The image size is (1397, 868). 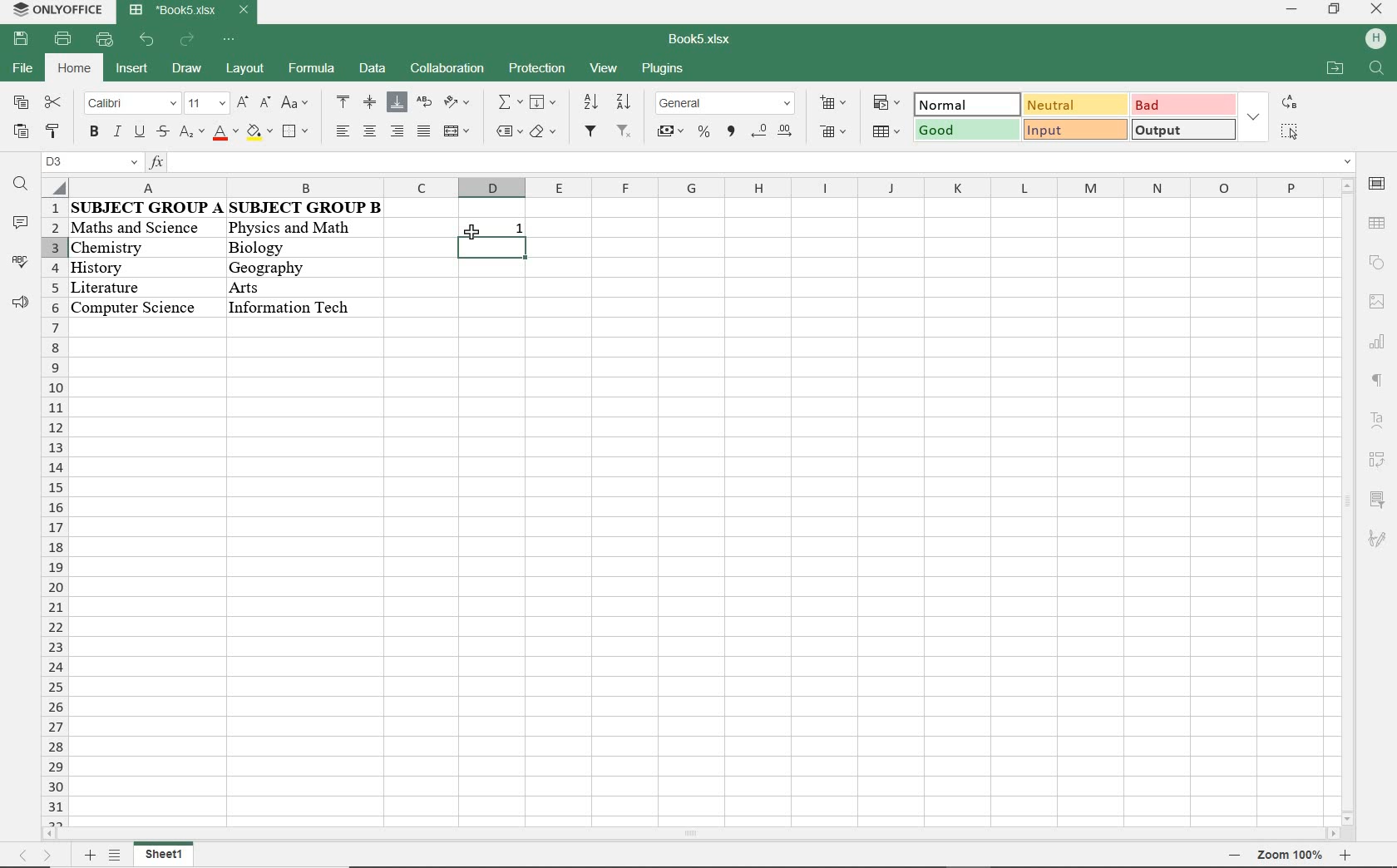 I want to click on delete cells, so click(x=835, y=133).